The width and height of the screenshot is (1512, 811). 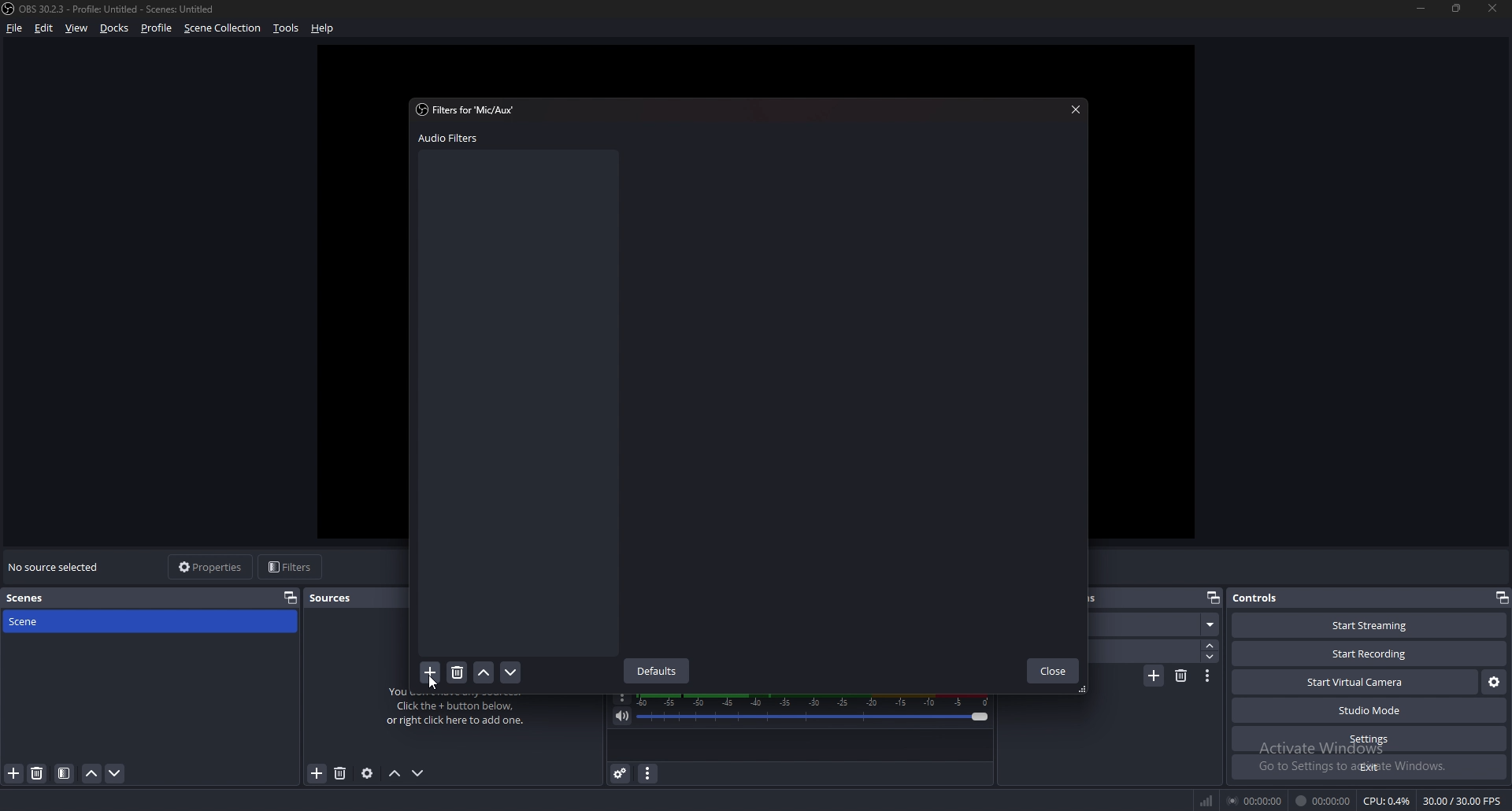 I want to click on studio mode, so click(x=1370, y=710).